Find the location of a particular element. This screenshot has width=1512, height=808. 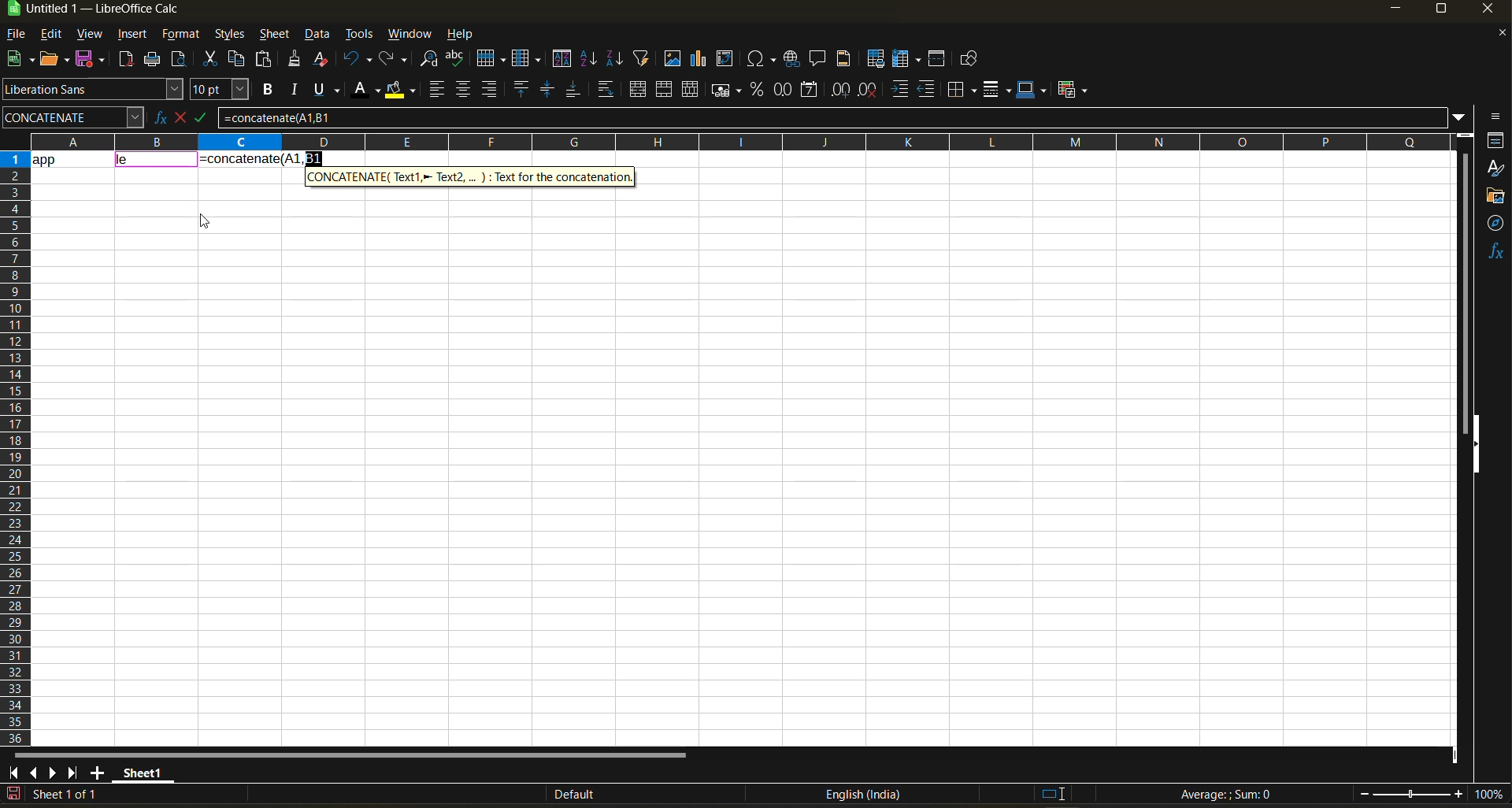

define print area is located at coordinates (875, 59).